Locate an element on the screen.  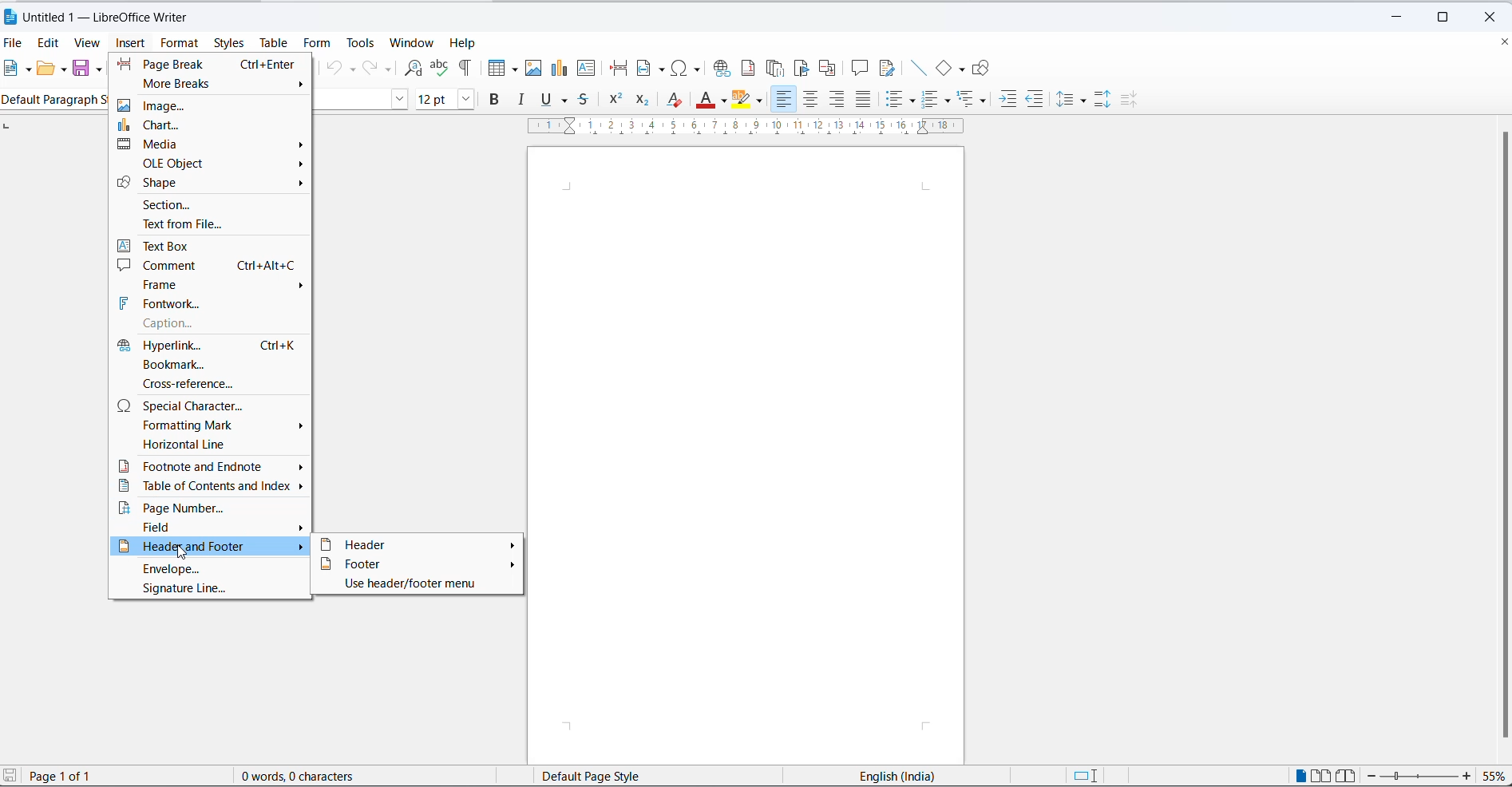
basic shapes is located at coordinates (943, 68).